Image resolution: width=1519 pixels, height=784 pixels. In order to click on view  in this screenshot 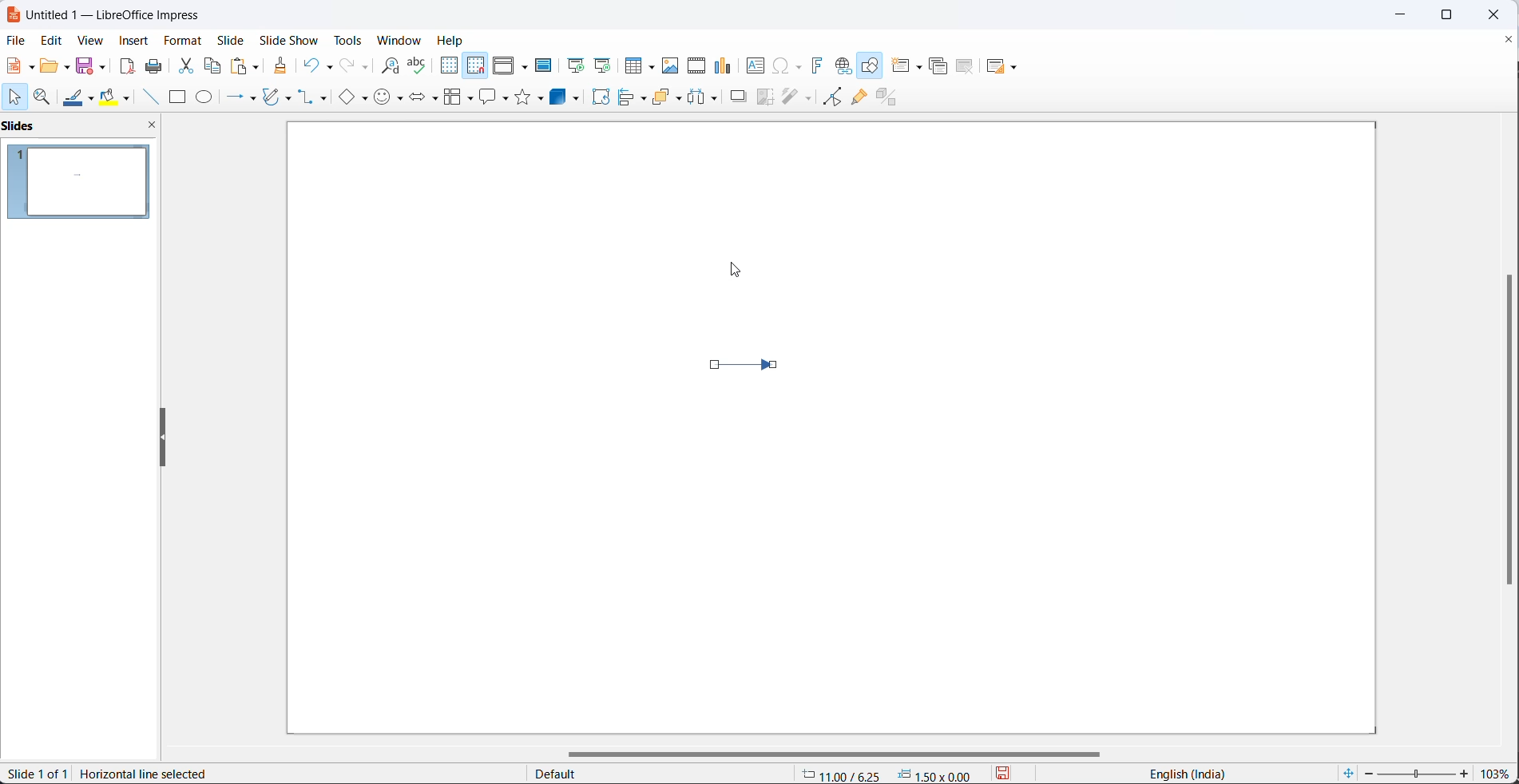, I will do `click(91, 40)`.